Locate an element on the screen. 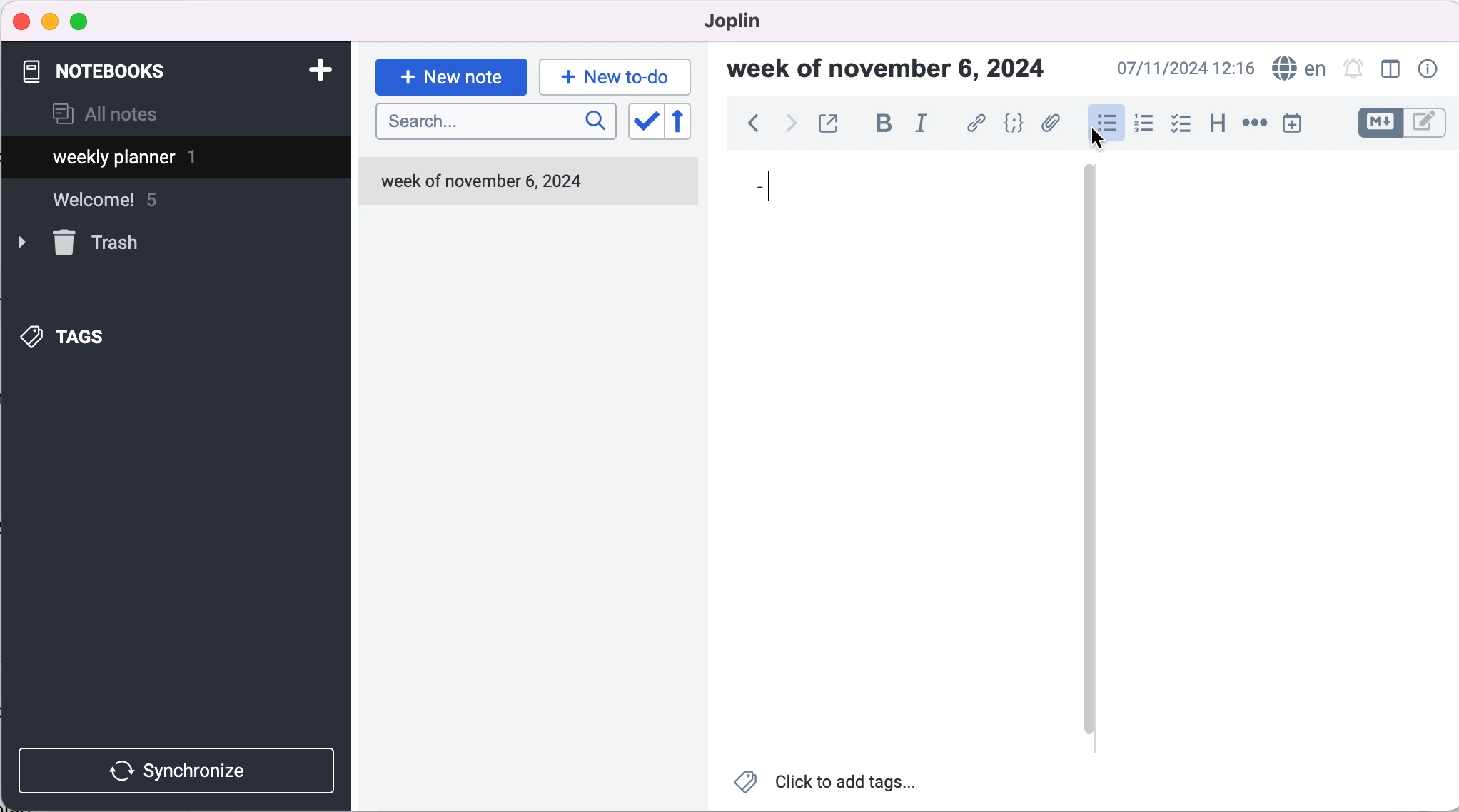 This screenshot has height=812, width=1459. toggle editors is located at coordinates (1402, 125).